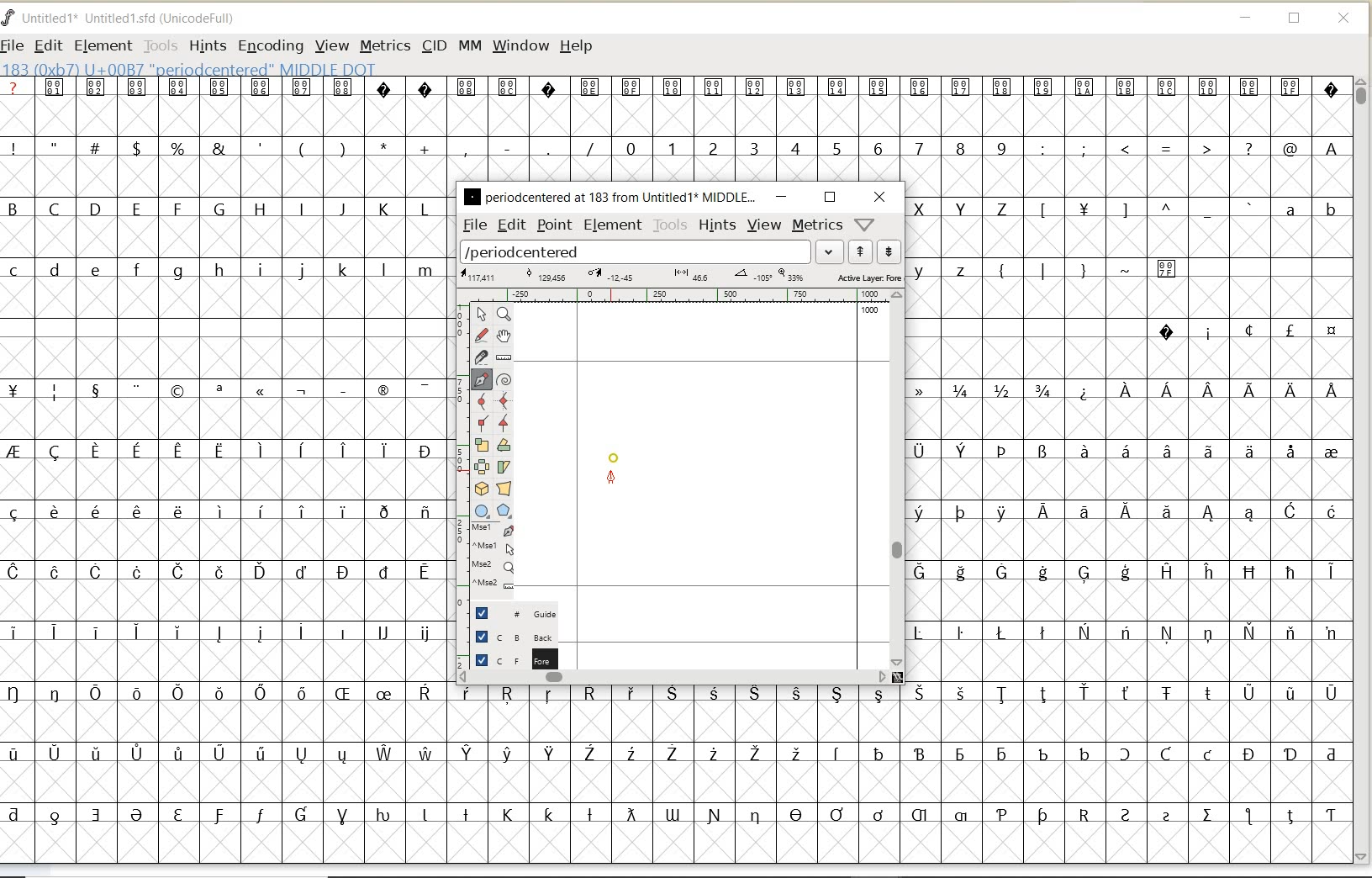 The height and width of the screenshot is (878, 1372). I want to click on expand, so click(830, 251).